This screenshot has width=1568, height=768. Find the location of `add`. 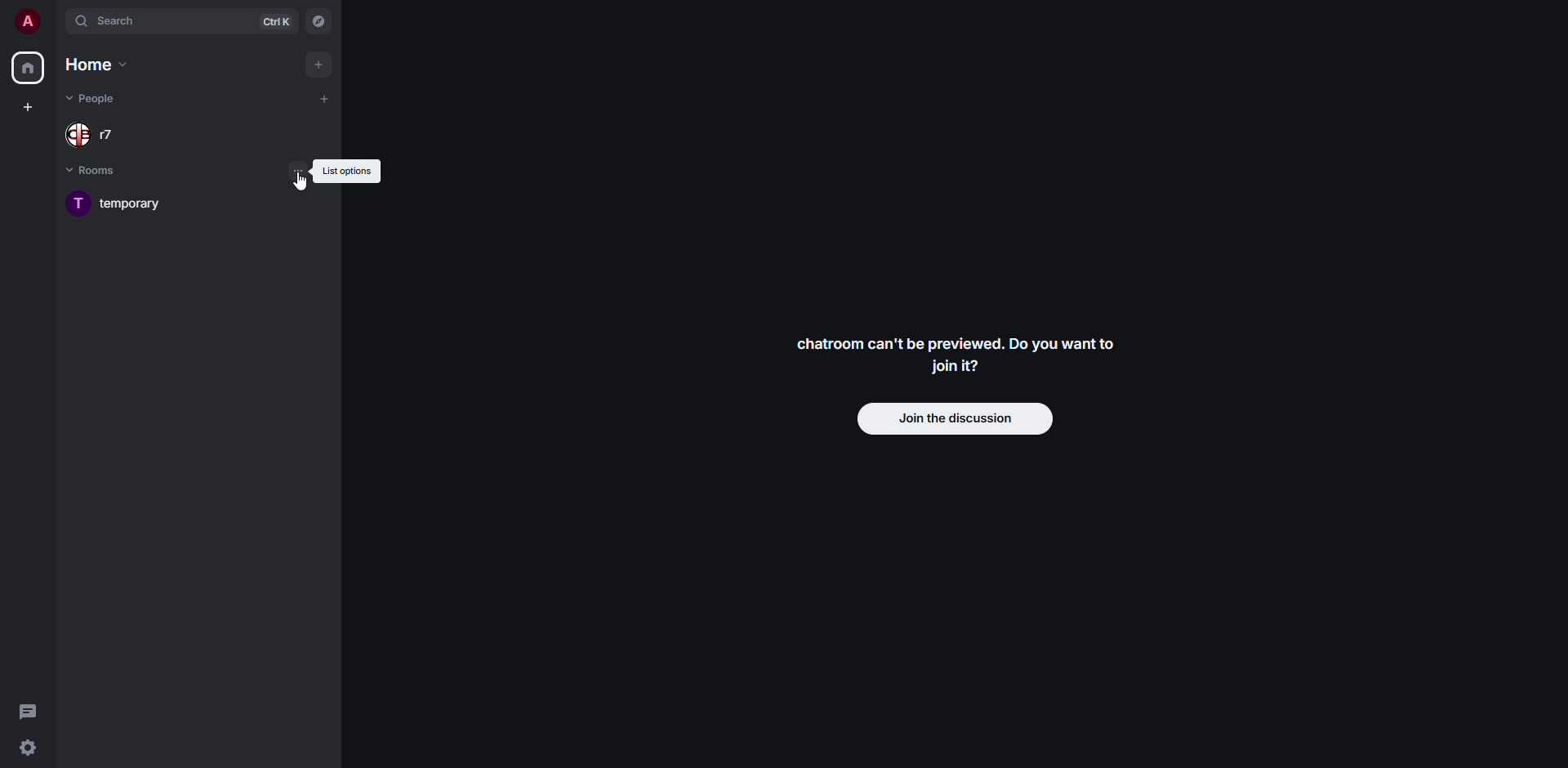

add is located at coordinates (319, 65).